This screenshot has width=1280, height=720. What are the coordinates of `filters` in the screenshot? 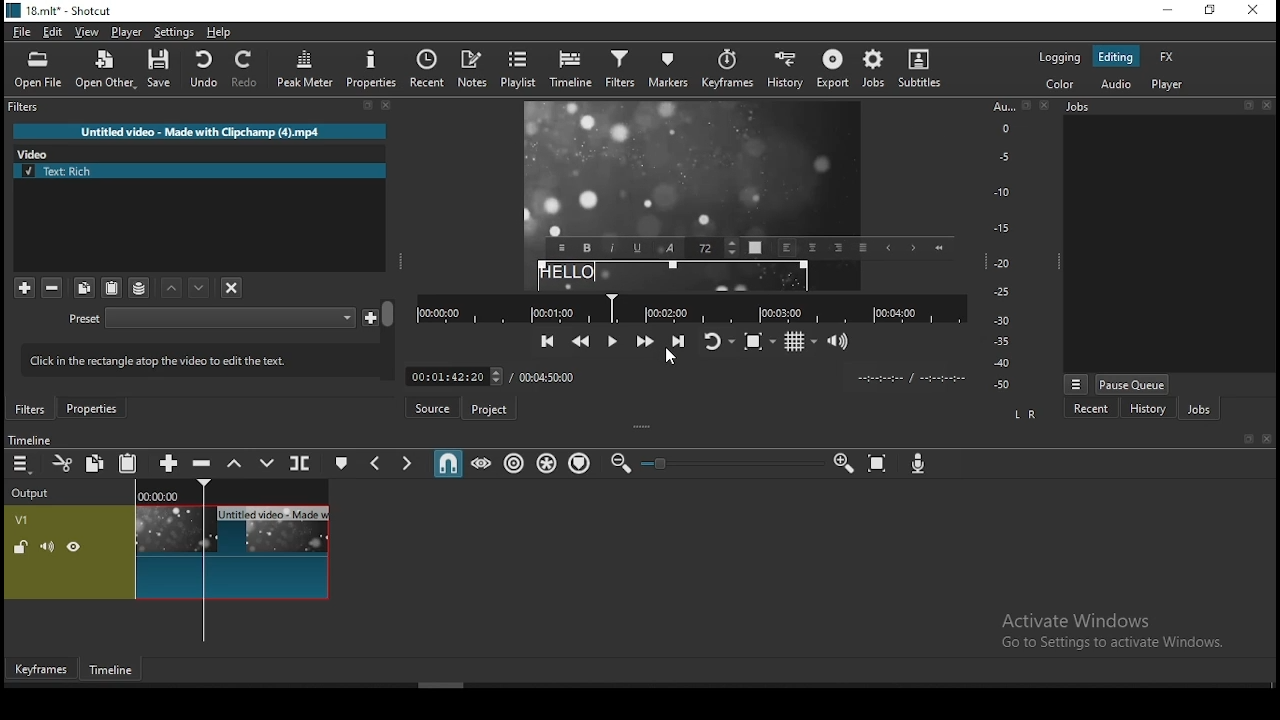 It's located at (26, 107).